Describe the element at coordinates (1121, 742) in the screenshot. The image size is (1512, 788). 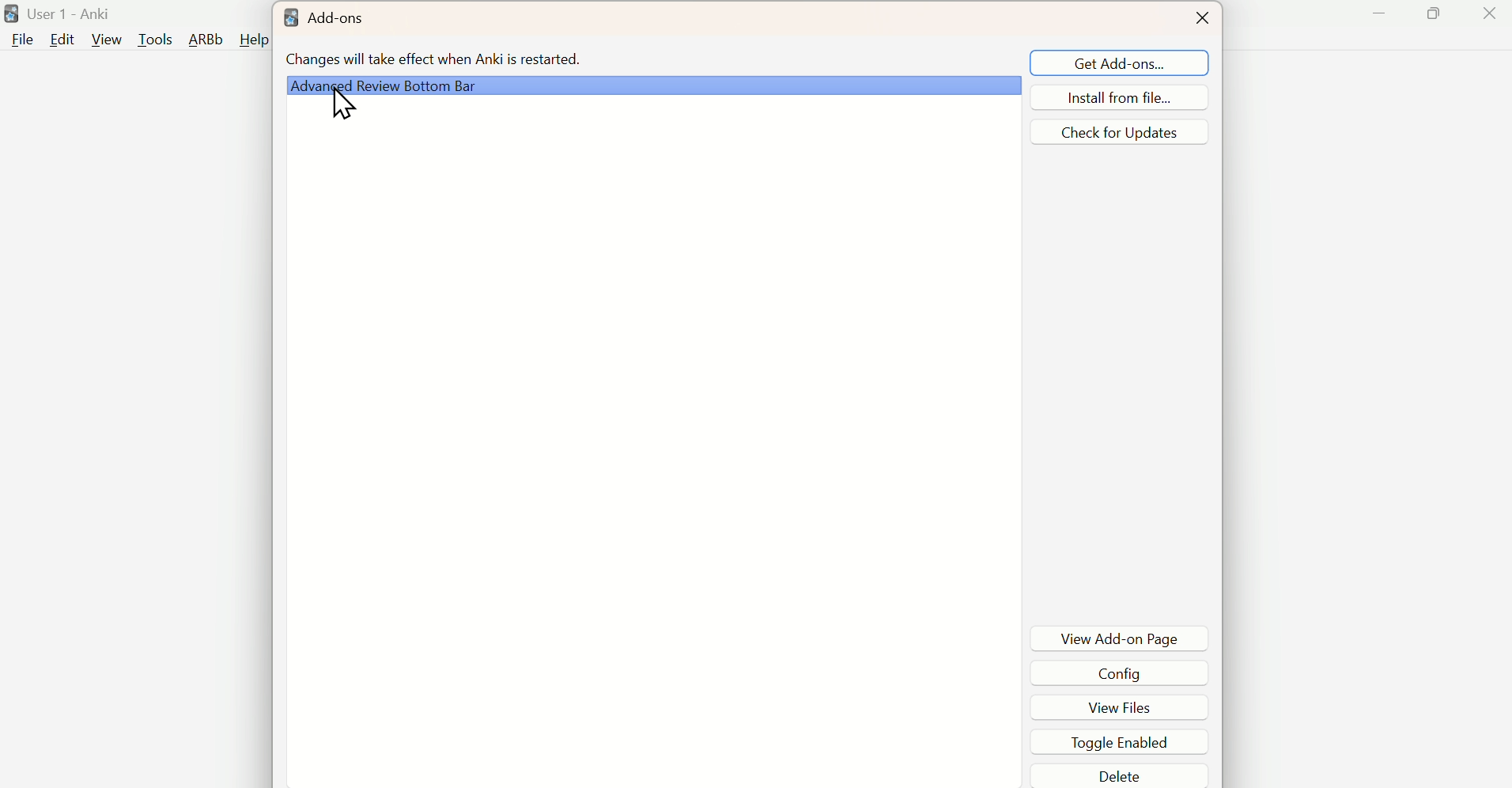
I see `Toggle Enabled` at that location.